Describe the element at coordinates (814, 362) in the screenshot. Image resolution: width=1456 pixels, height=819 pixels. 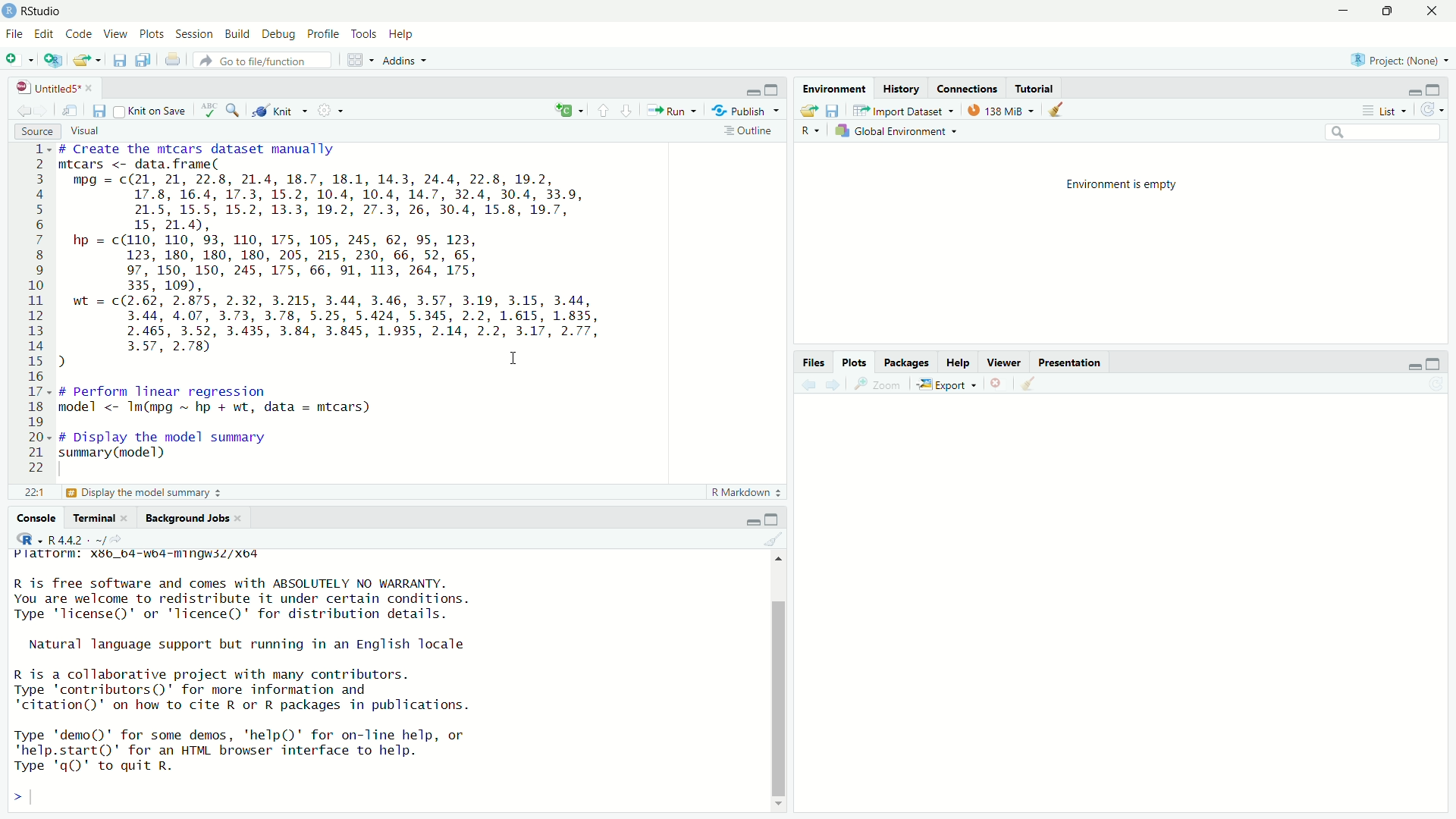
I see `files` at that location.